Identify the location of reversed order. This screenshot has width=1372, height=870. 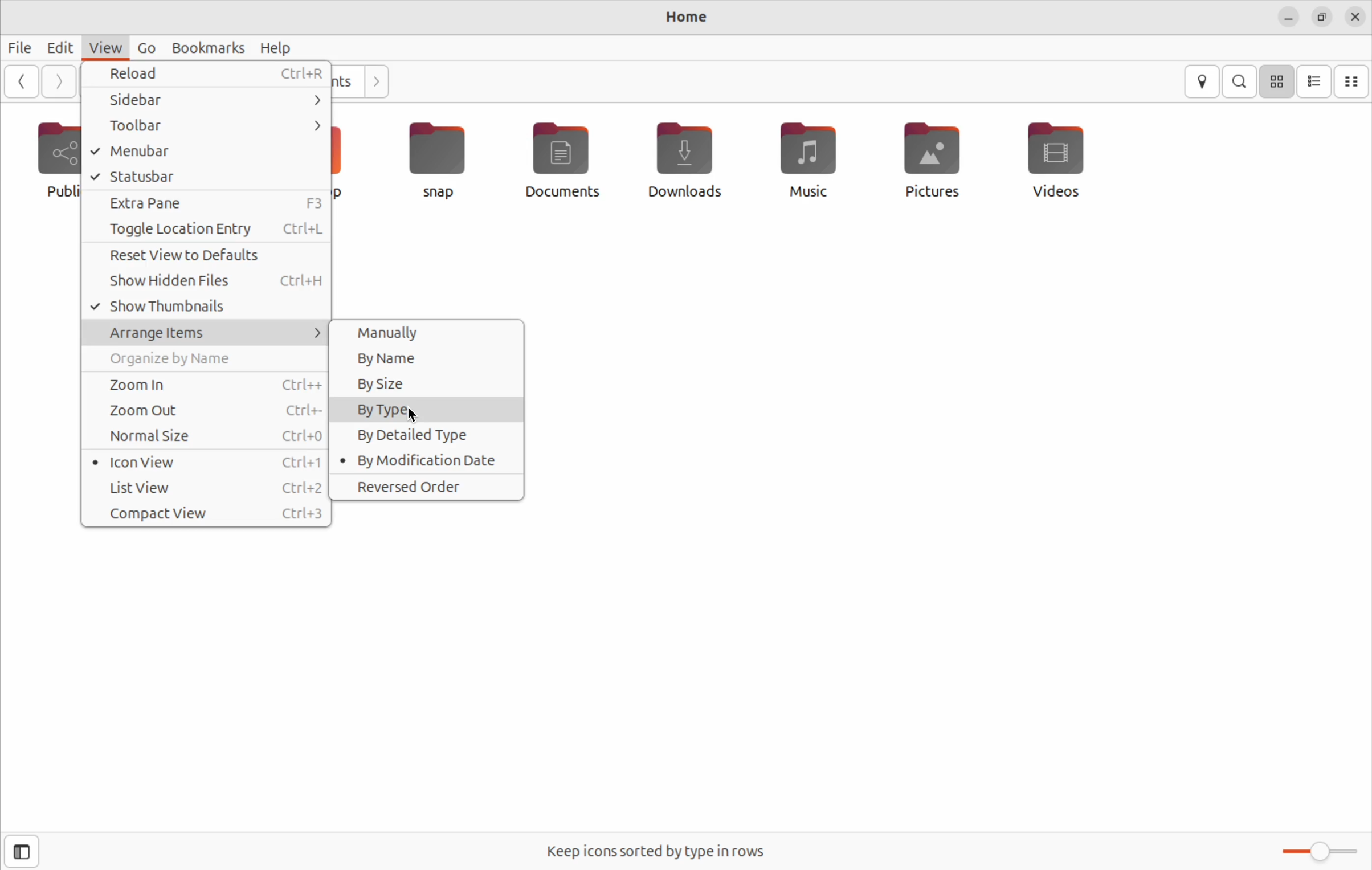
(427, 488).